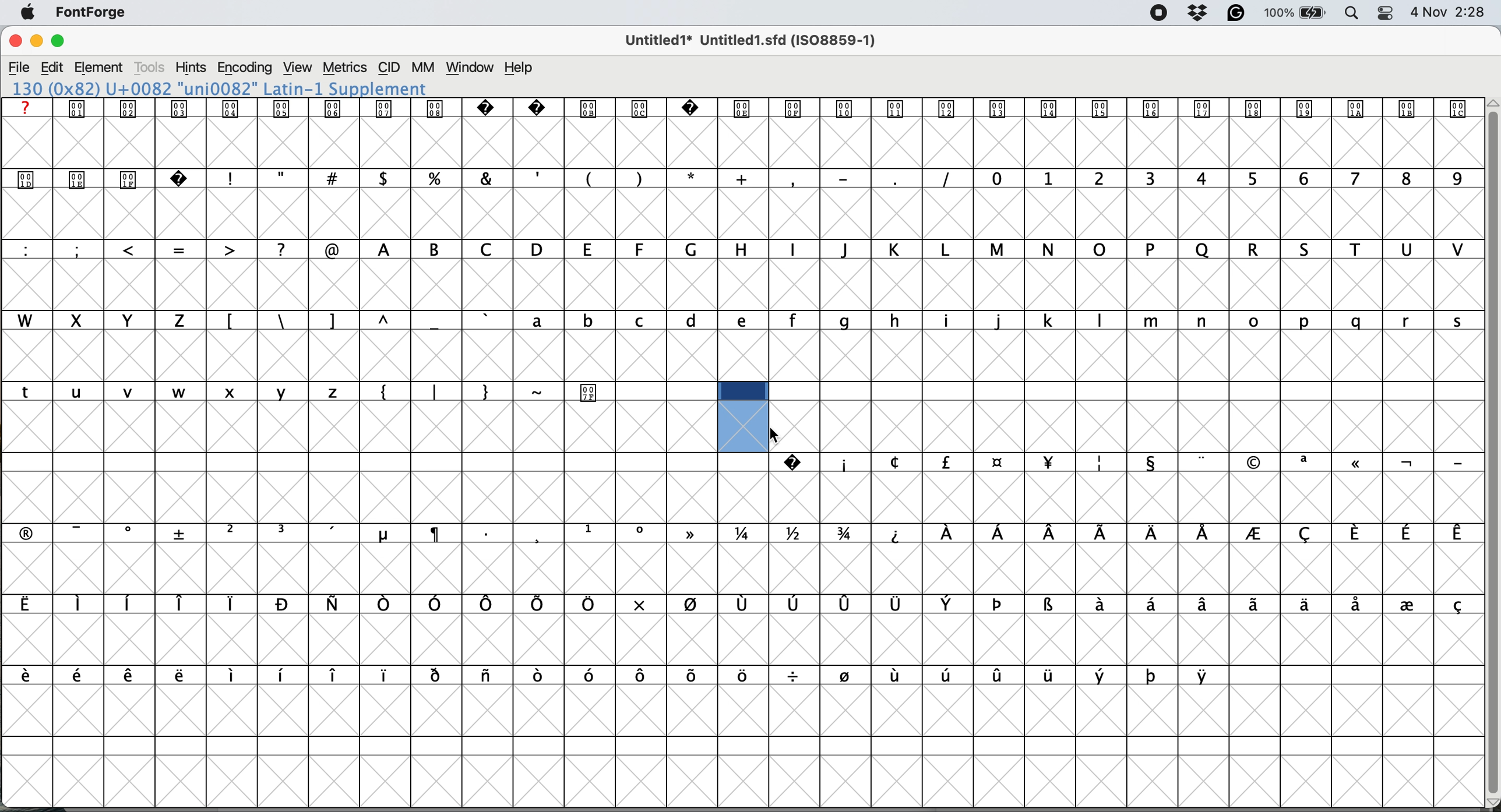 The width and height of the screenshot is (1501, 812). I want to click on vertical scroll bar, so click(1491, 448).